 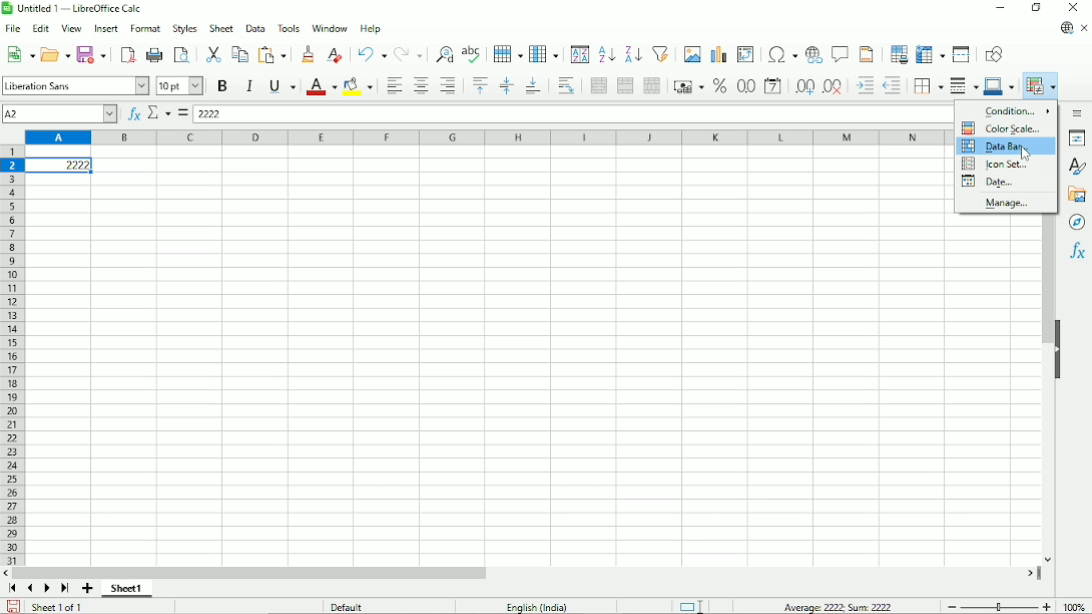 What do you see at coordinates (392, 85) in the screenshot?
I see `Align left` at bounding box center [392, 85].